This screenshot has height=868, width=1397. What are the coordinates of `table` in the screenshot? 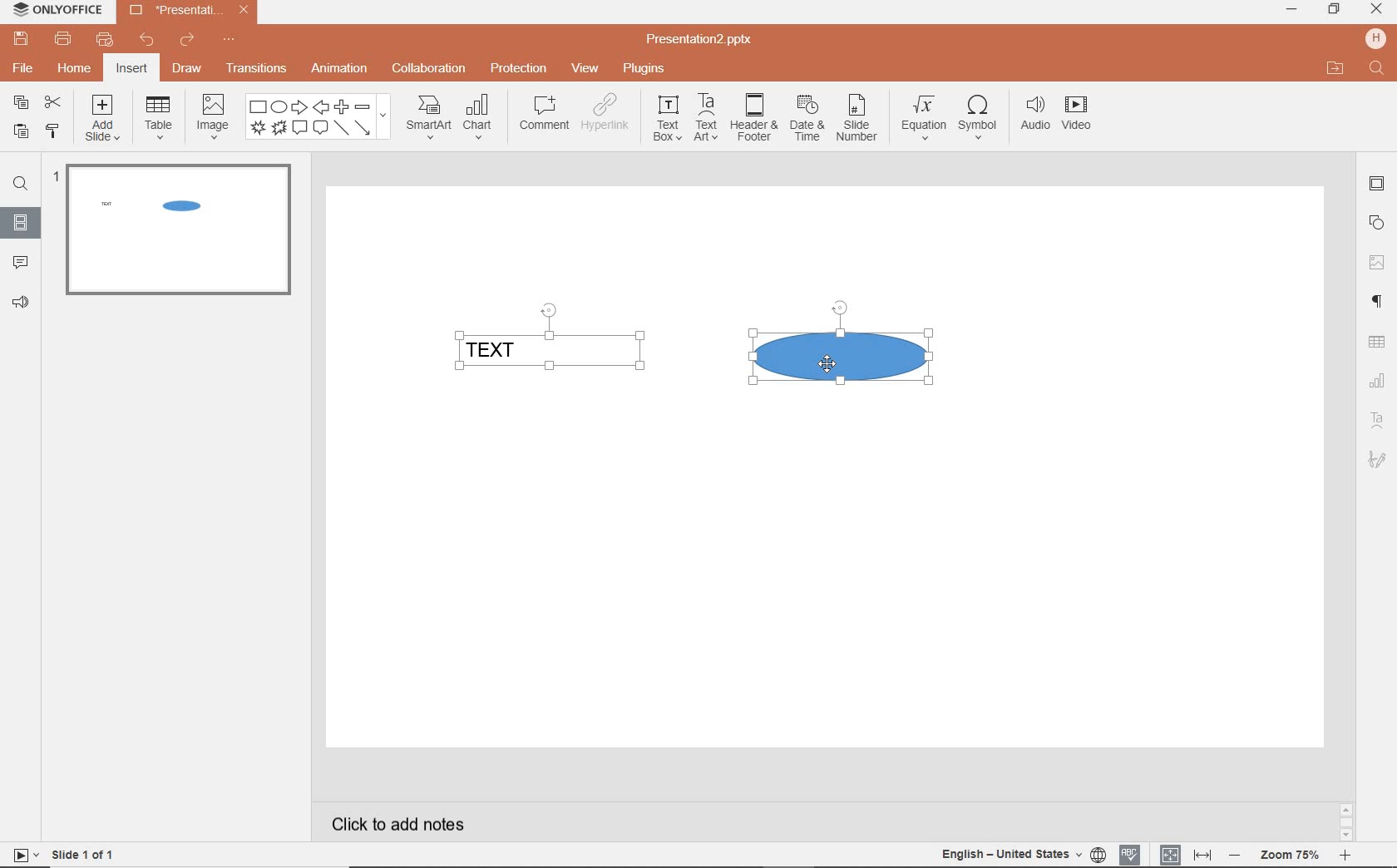 It's located at (156, 118).